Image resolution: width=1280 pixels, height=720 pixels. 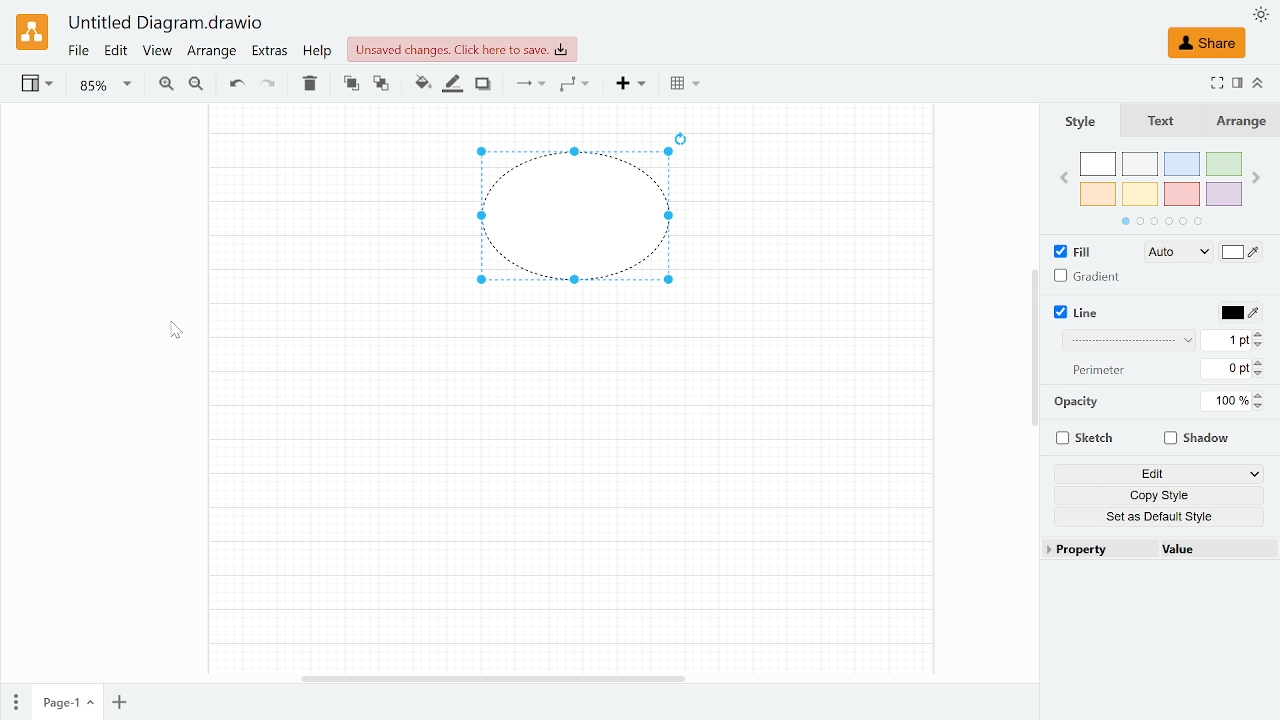 What do you see at coordinates (1064, 175) in the screenshot?
I see `Previous` at bounding box center [1064, 175].